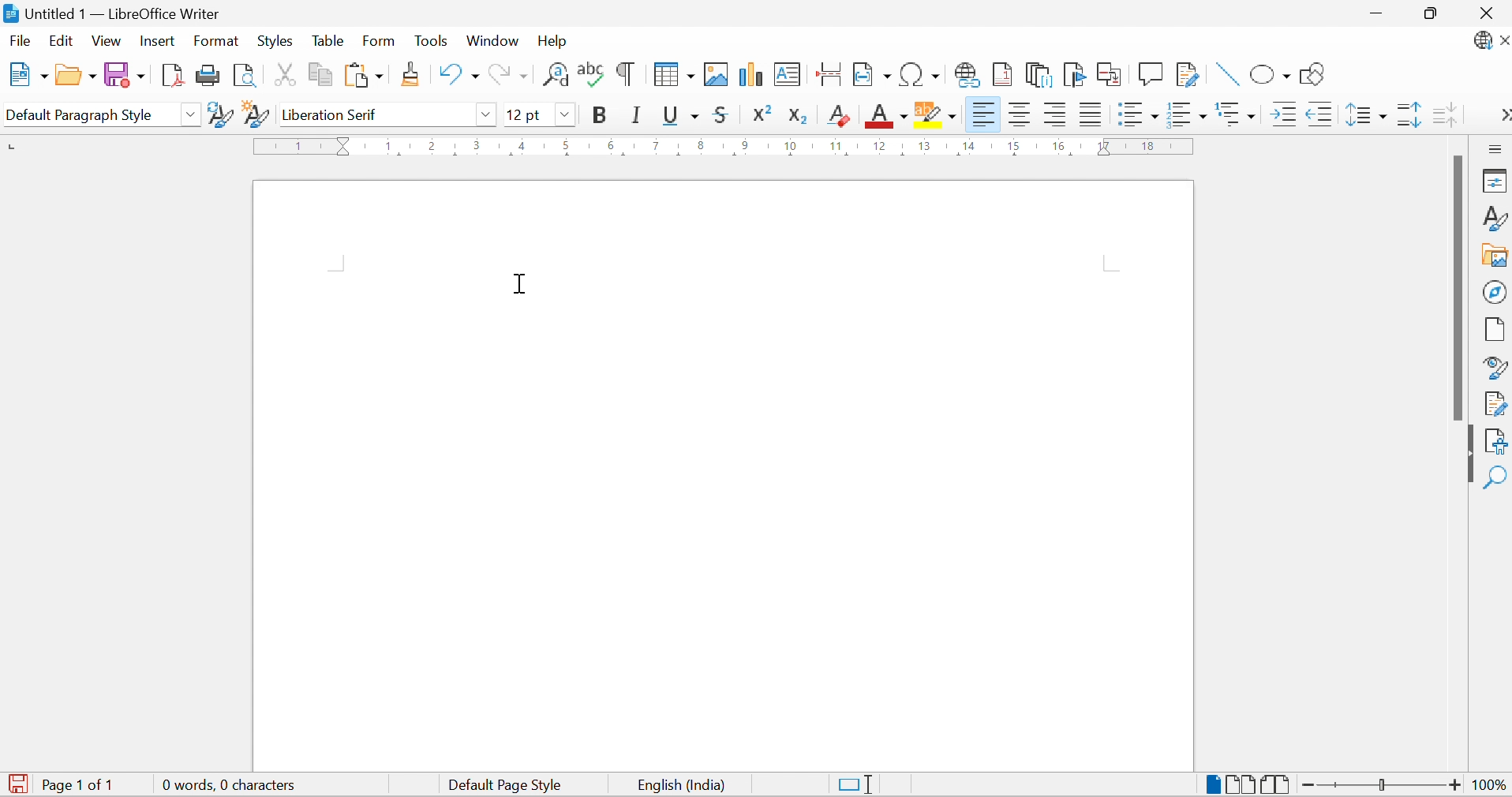  I want to click on Align Left, so click(1056, 114).